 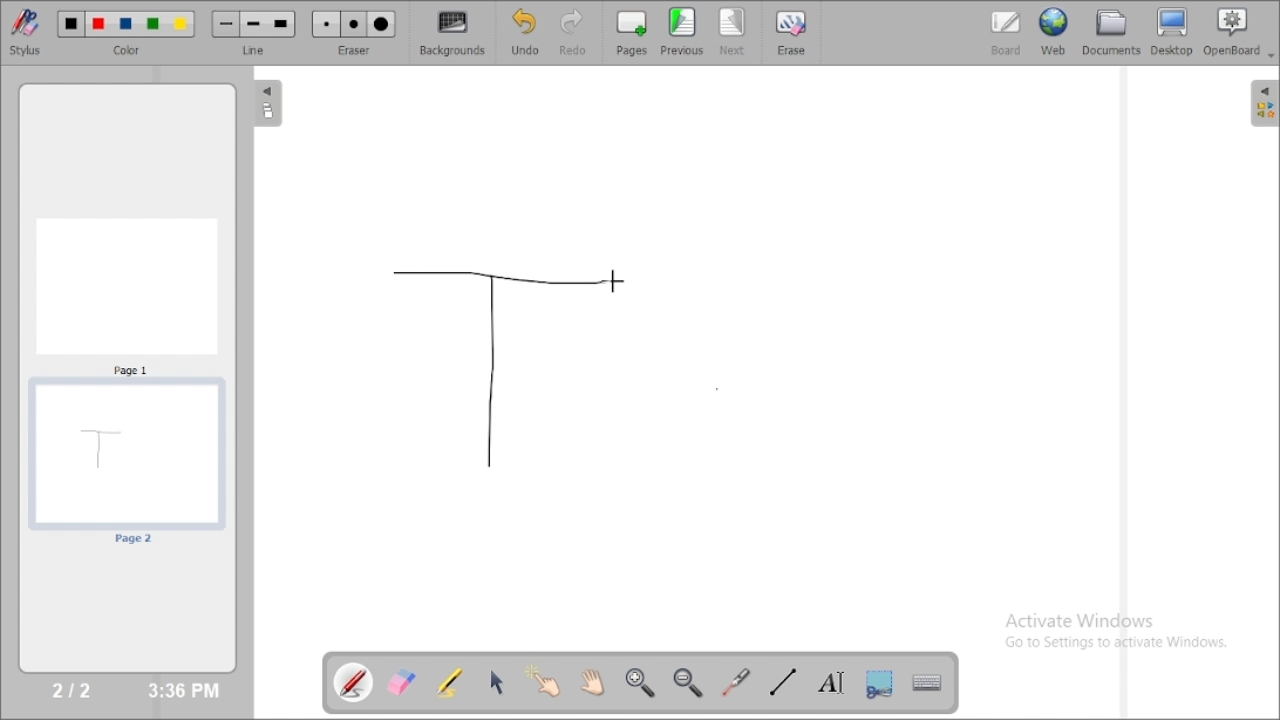 What do you see at coordinates (614, 281) in the screenshot?
I see `cursor` at bounding box center [614, 281].